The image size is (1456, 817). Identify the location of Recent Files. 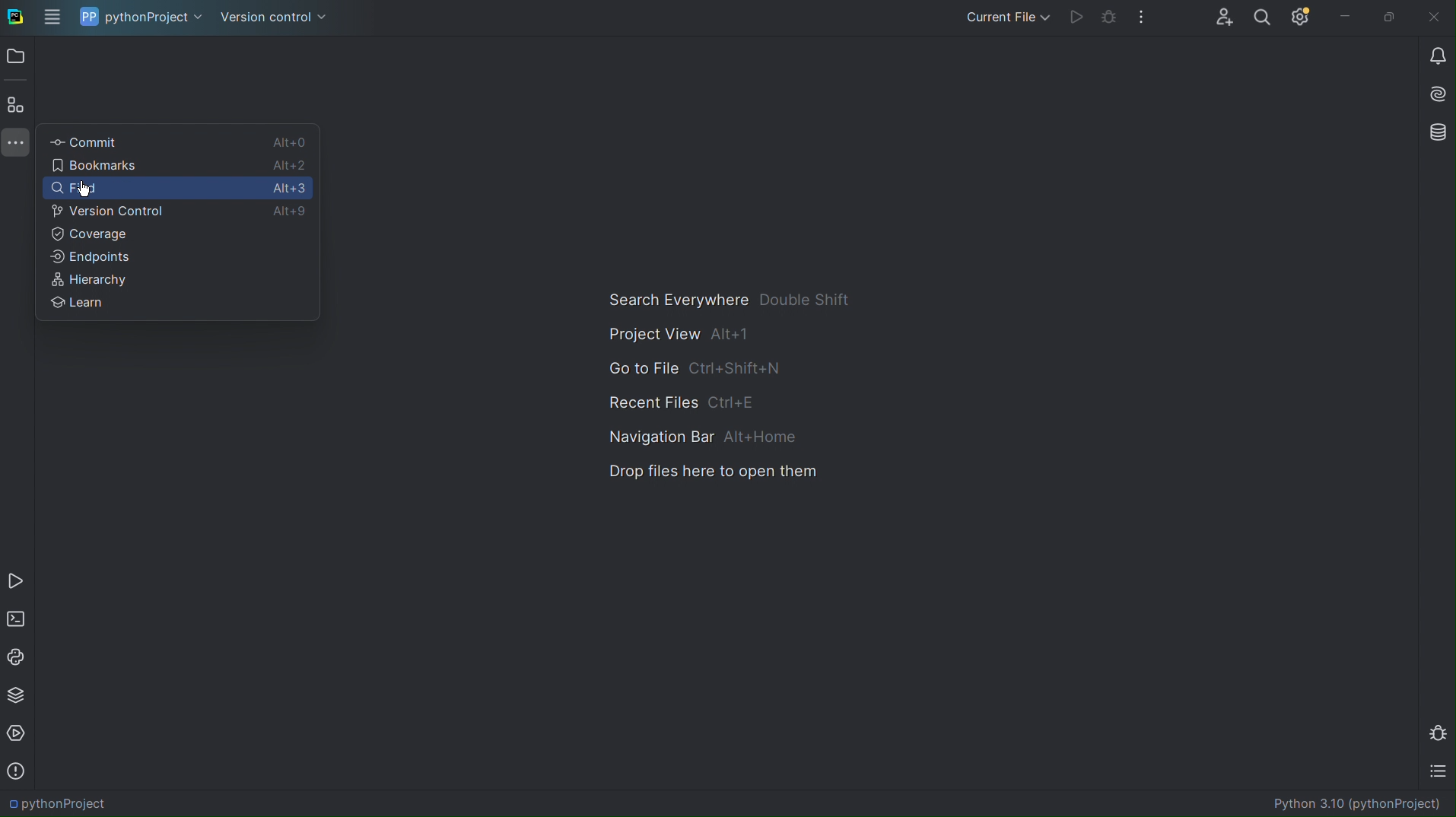
(690, 399).